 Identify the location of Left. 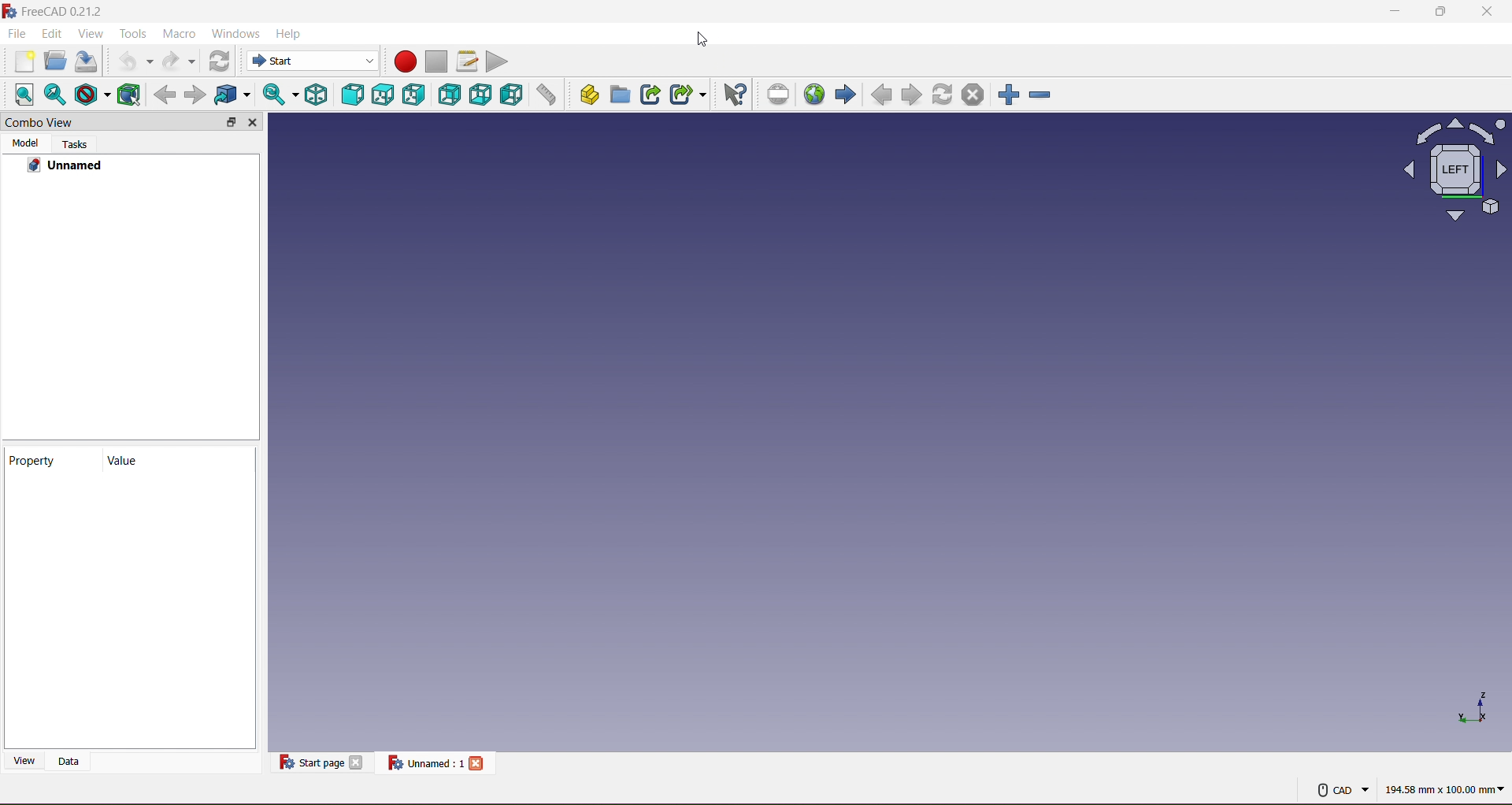
(512, 95).